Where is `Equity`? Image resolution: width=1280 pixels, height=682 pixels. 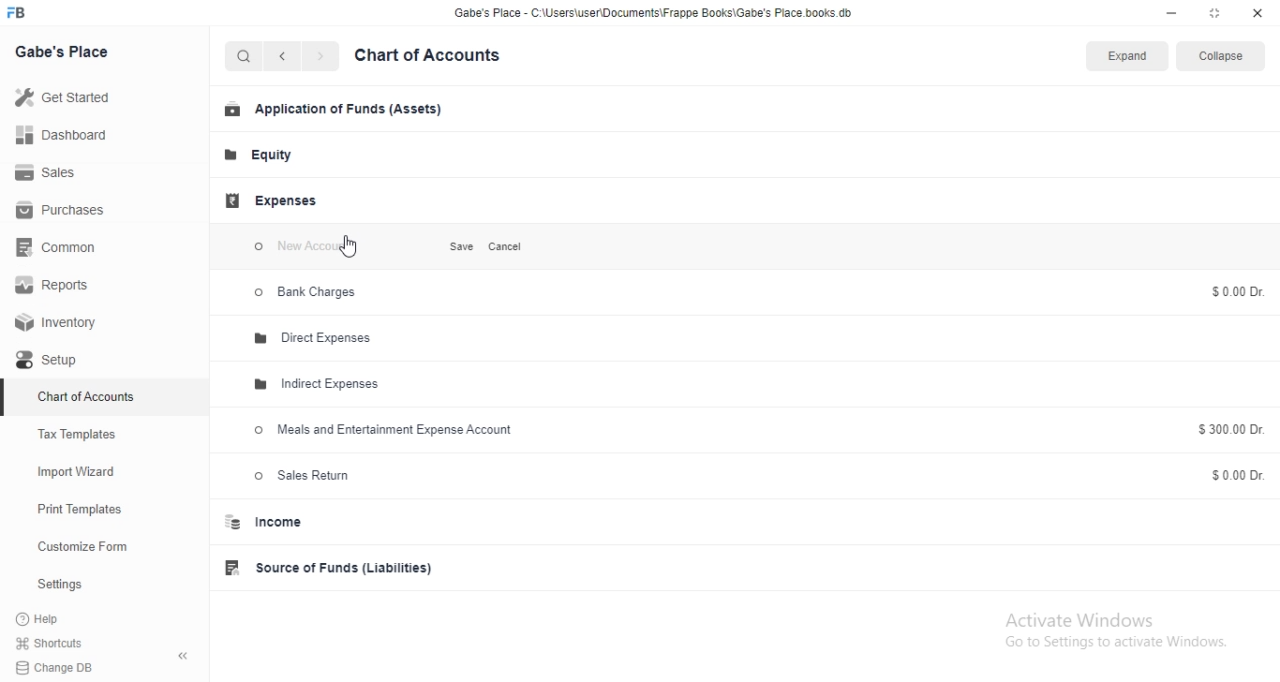 Equity is located at coordinates (269, 157).